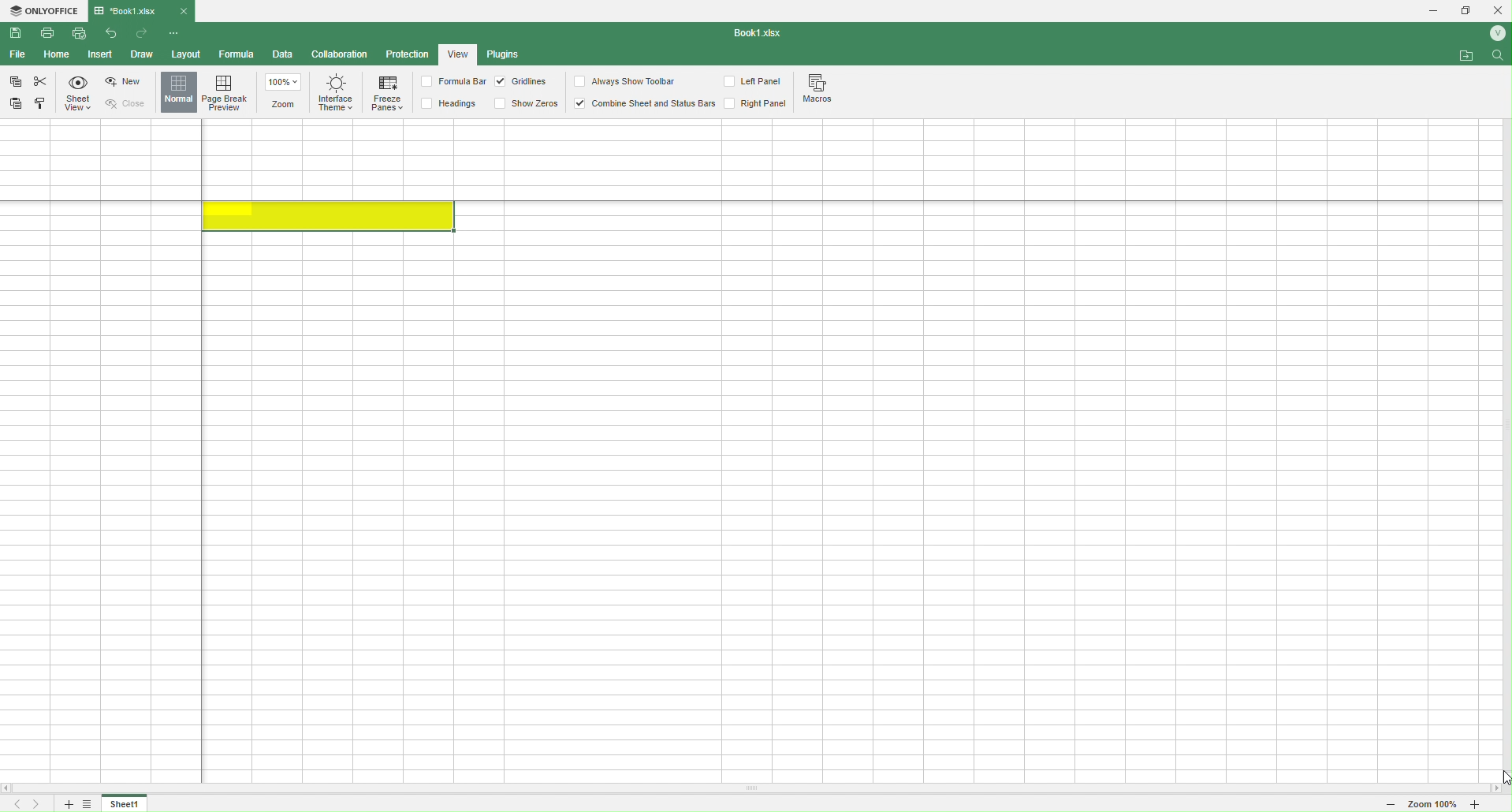 Image resolution: width=1512 pixels, height=812 pixels. What do you see at coordinates (114, 35) in the screenshot?
I see `Undo` at bounding box center [114, 35].